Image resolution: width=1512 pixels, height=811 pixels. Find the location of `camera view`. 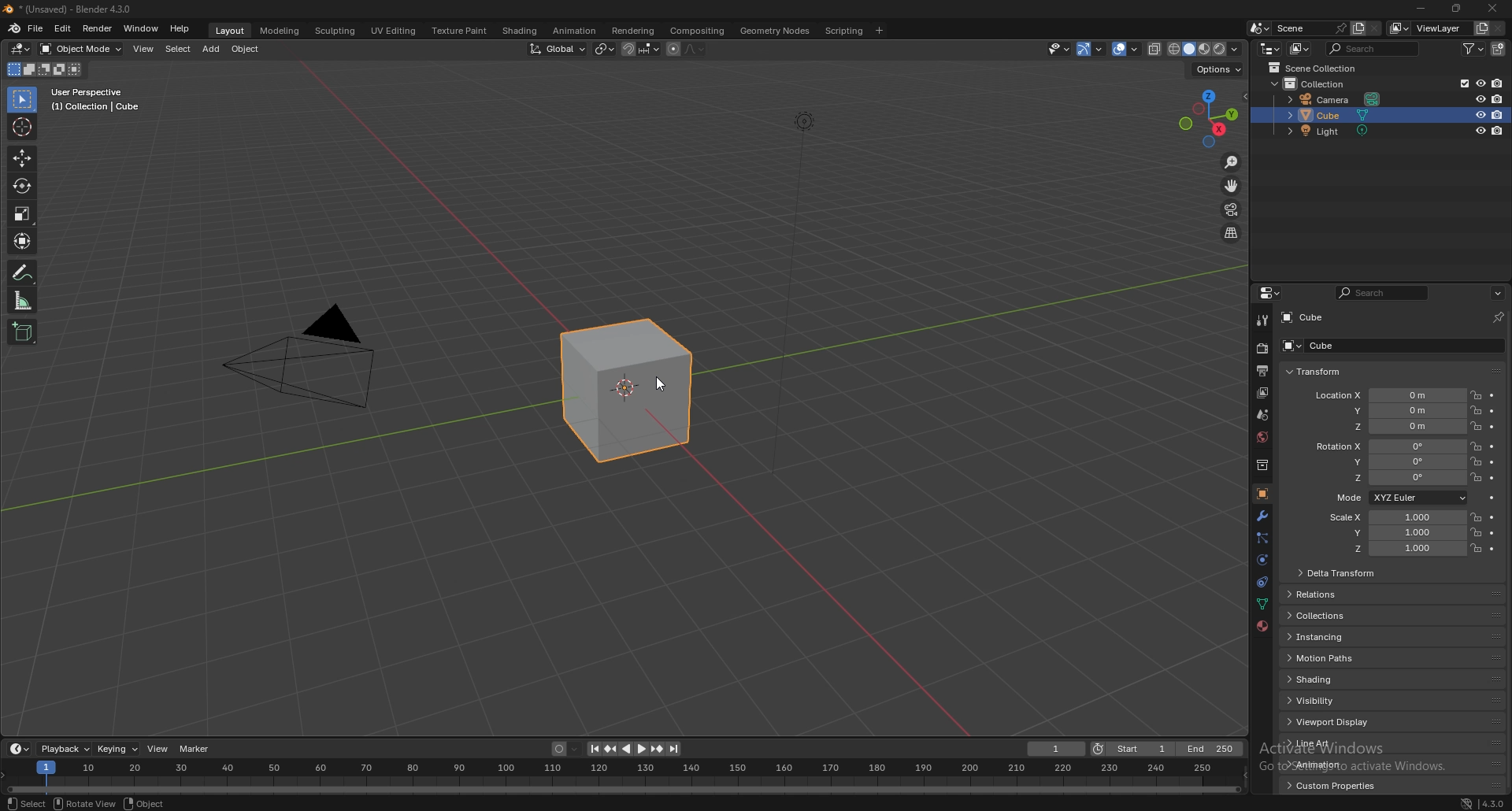

camera view is located at coordinates (1232, 209).